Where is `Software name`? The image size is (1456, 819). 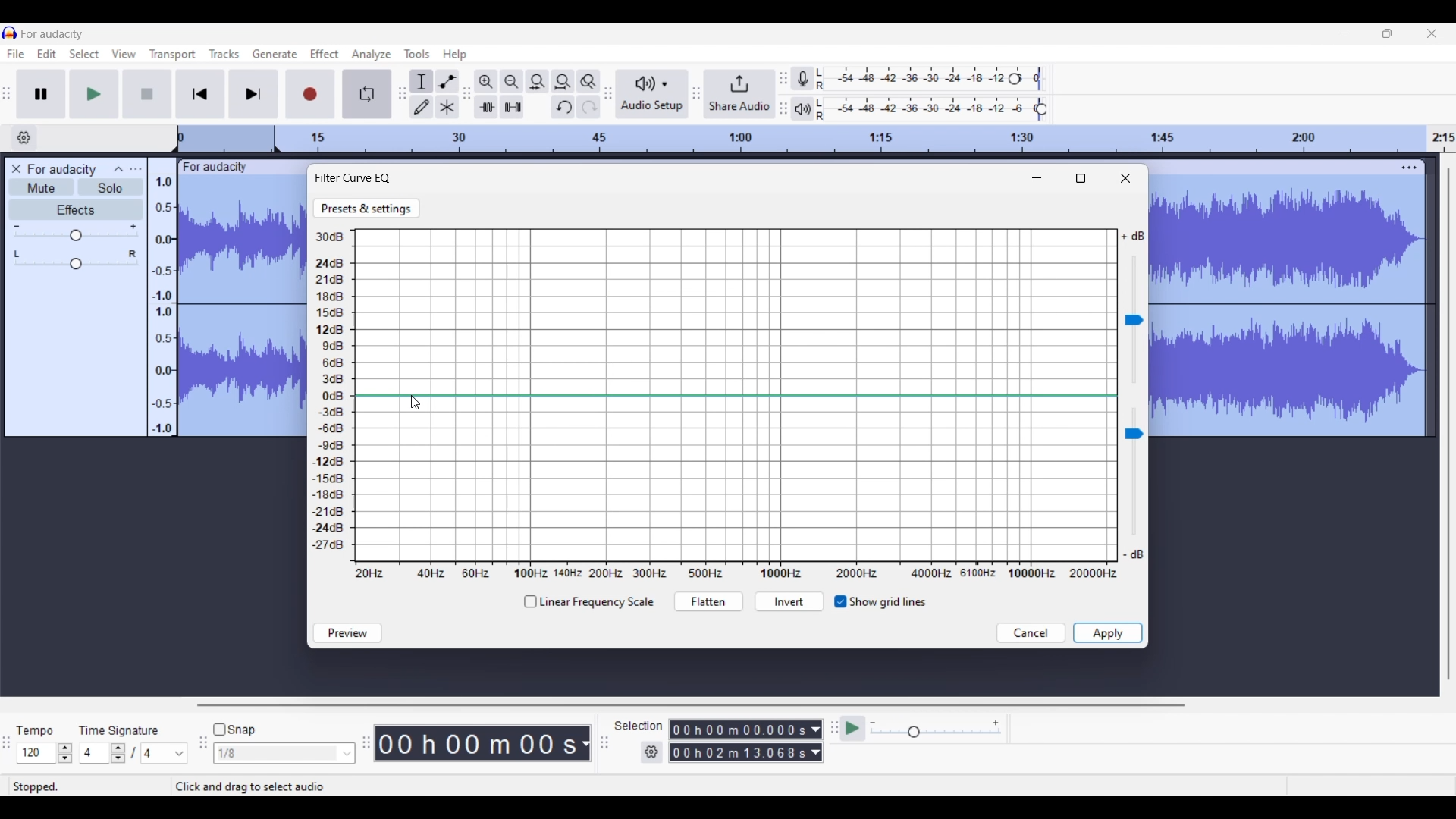 Software name is located at coordinates (53, 33).